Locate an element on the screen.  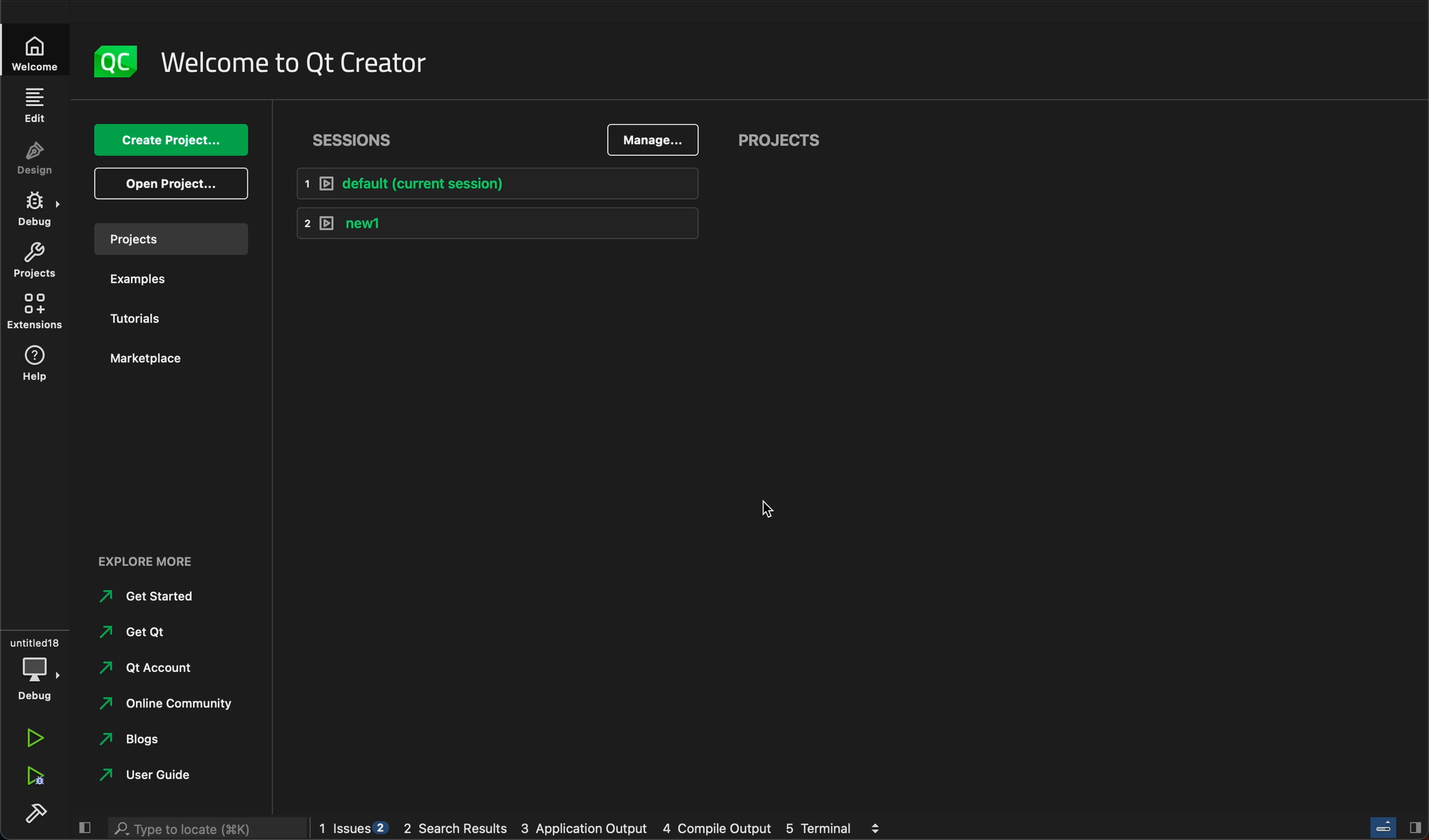
design is located at coordinates (35, 160).